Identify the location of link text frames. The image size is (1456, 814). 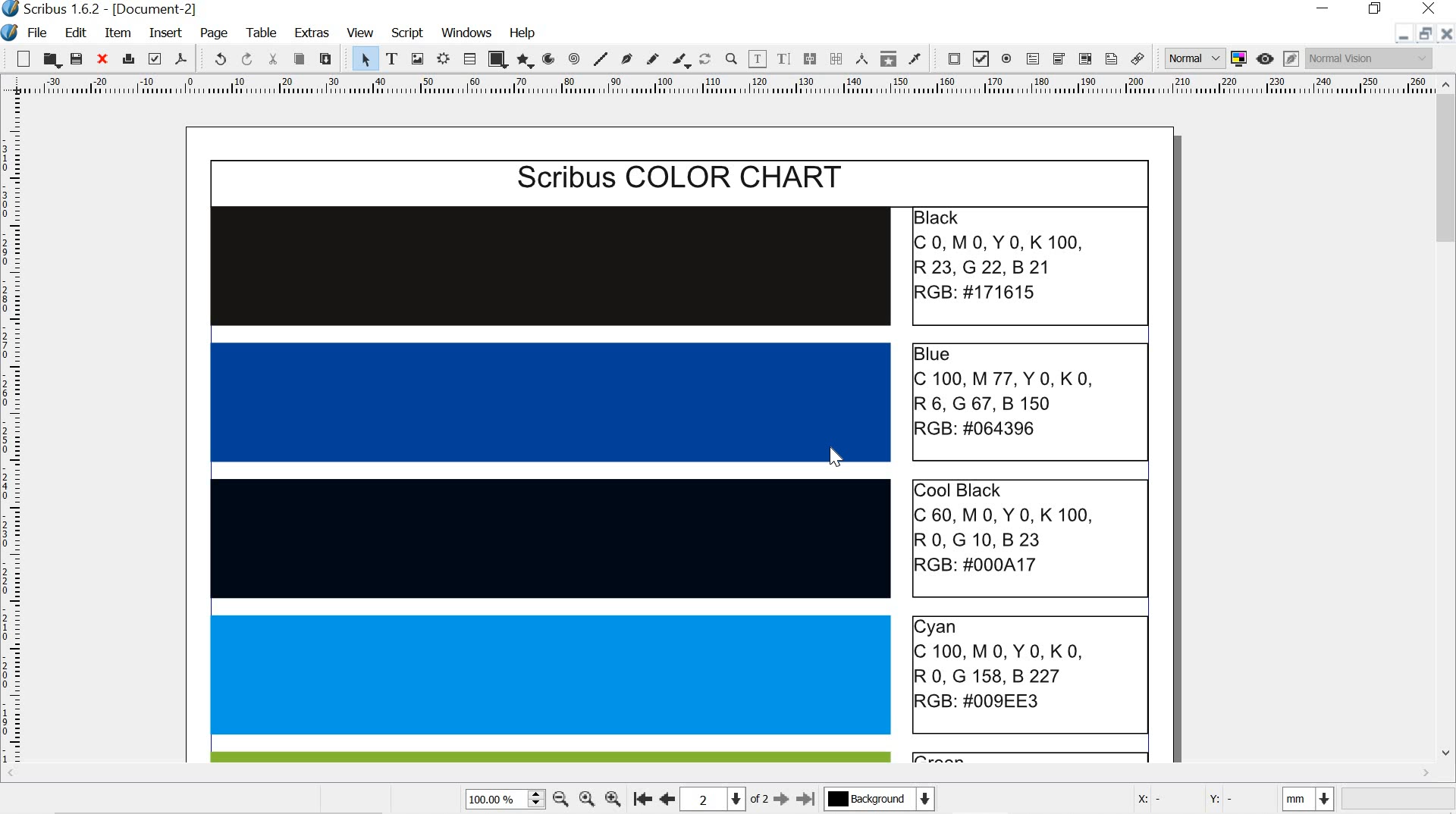
(810, 58).